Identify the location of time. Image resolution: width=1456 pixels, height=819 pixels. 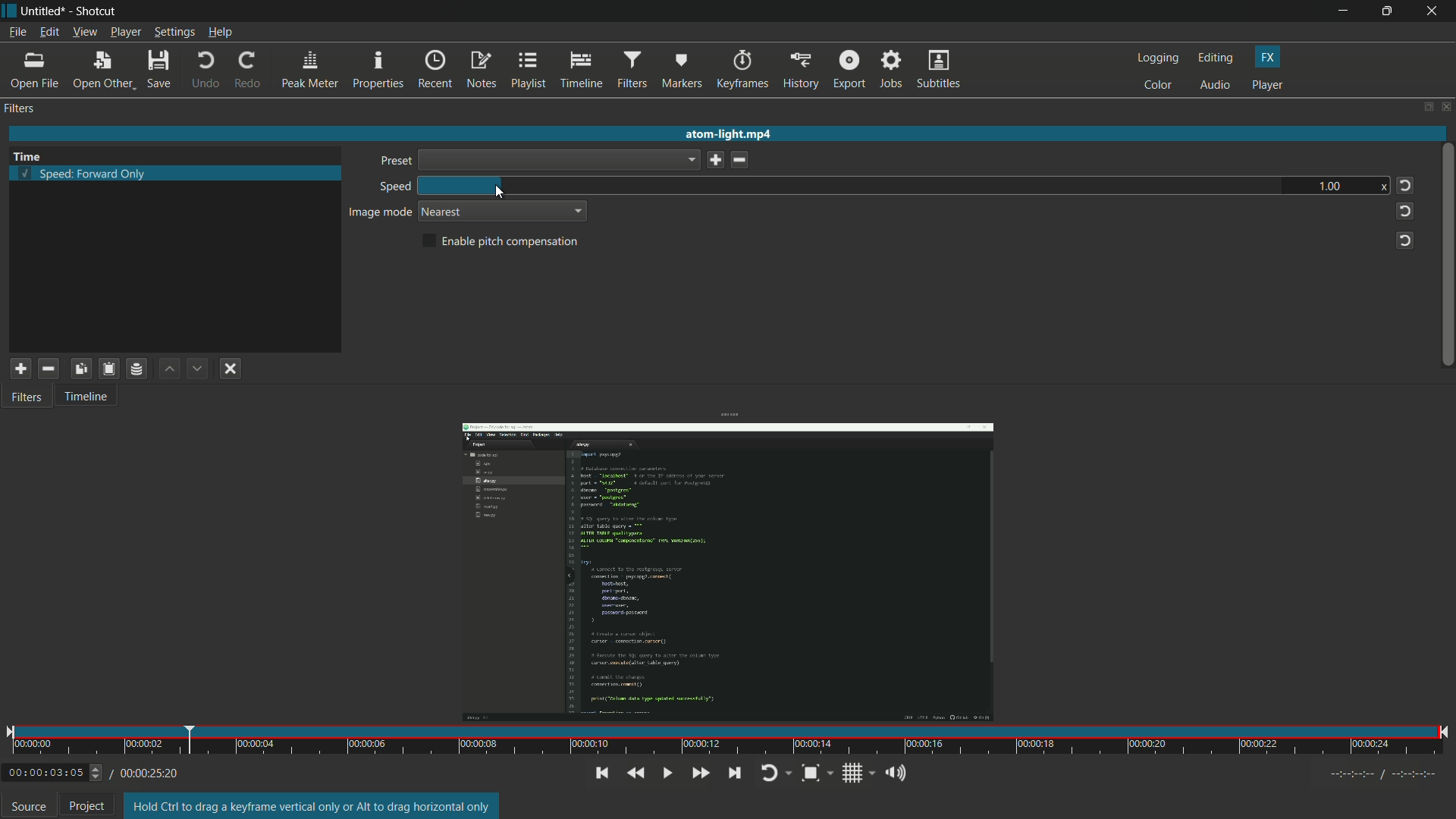
(730, 739).